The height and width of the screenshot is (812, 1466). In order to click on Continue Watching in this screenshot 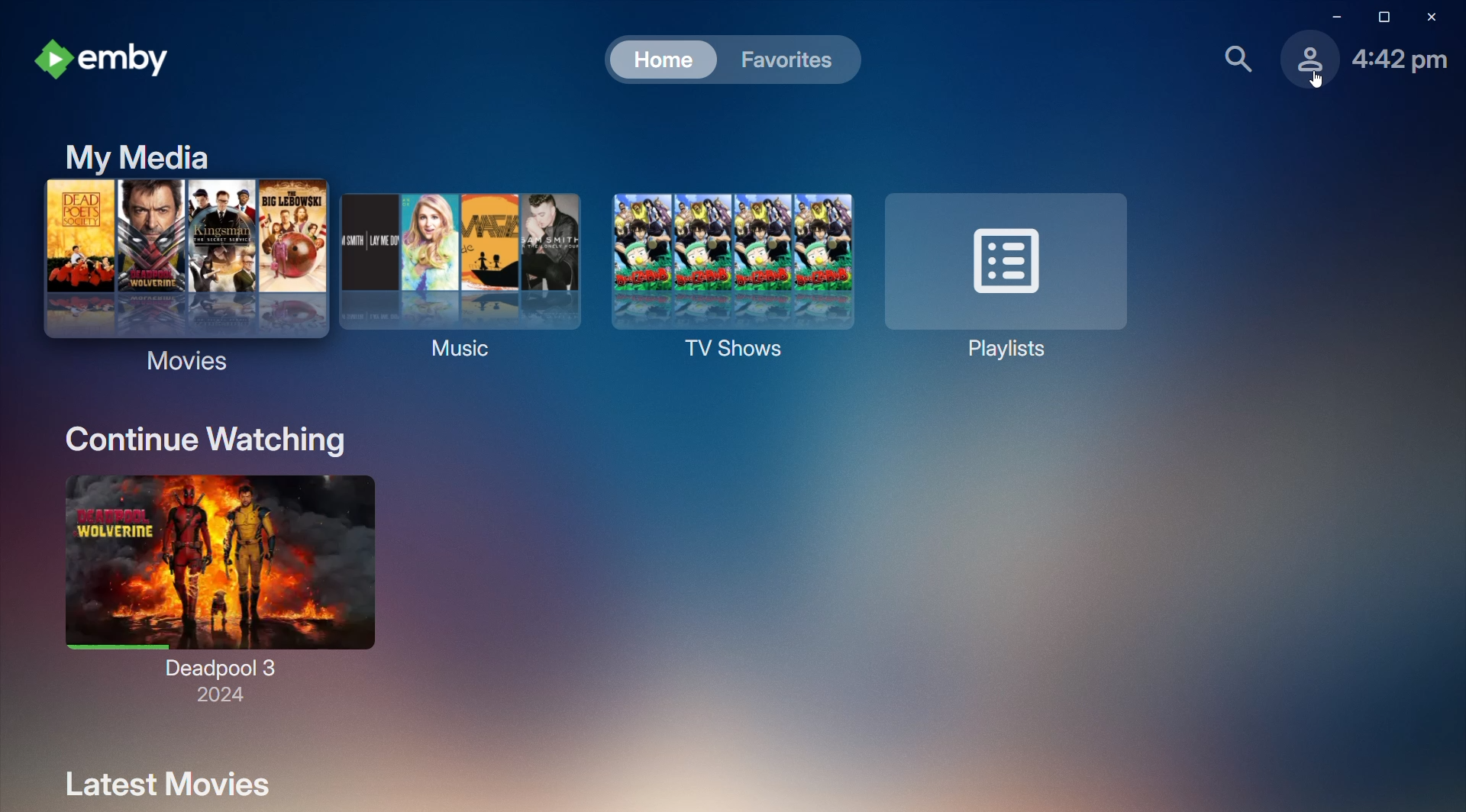, I will do `click(210, 440)`.